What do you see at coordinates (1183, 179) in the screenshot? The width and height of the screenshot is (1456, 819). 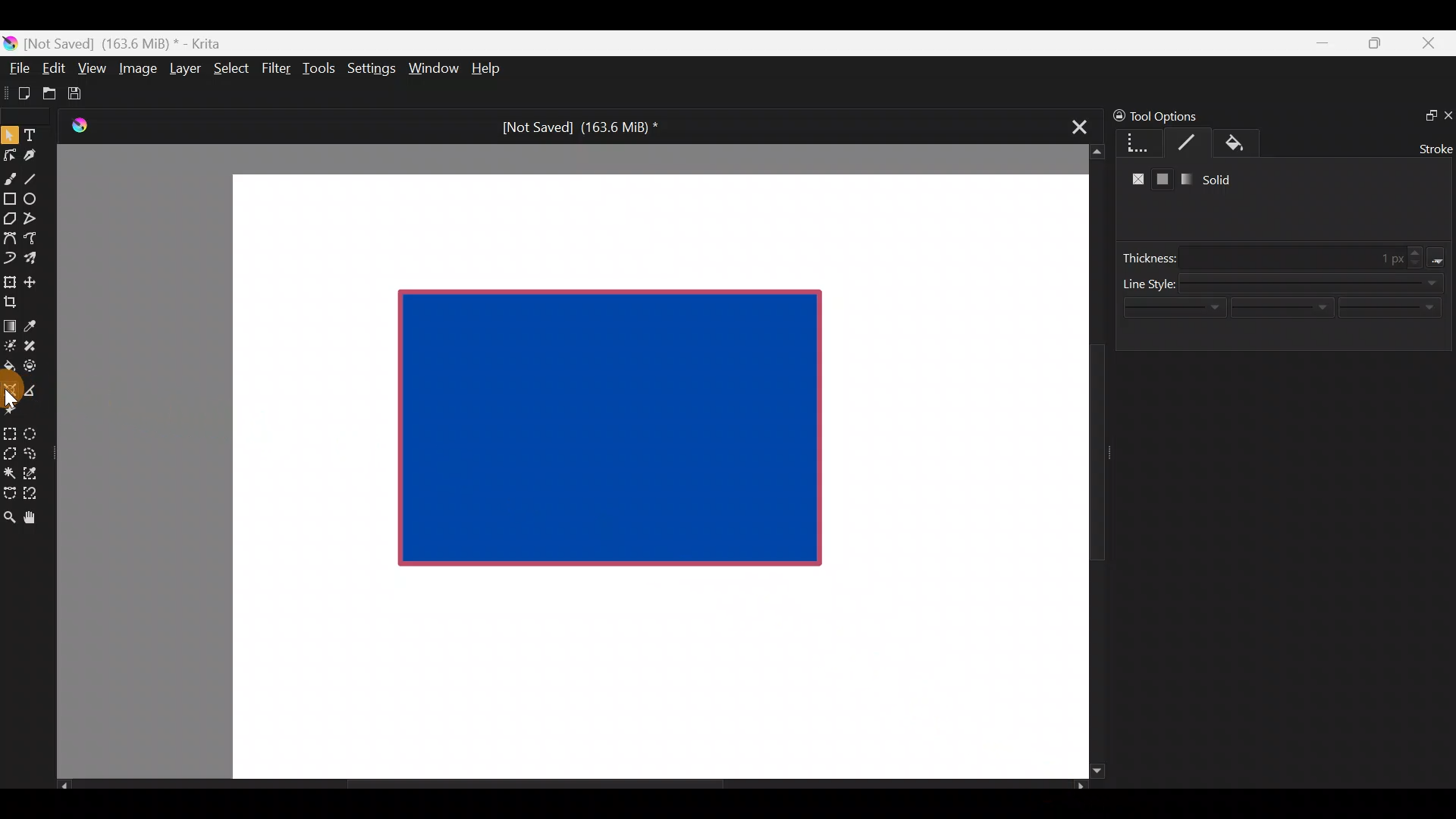 I see `Gradient fill` at bounding box center [1183, 179].